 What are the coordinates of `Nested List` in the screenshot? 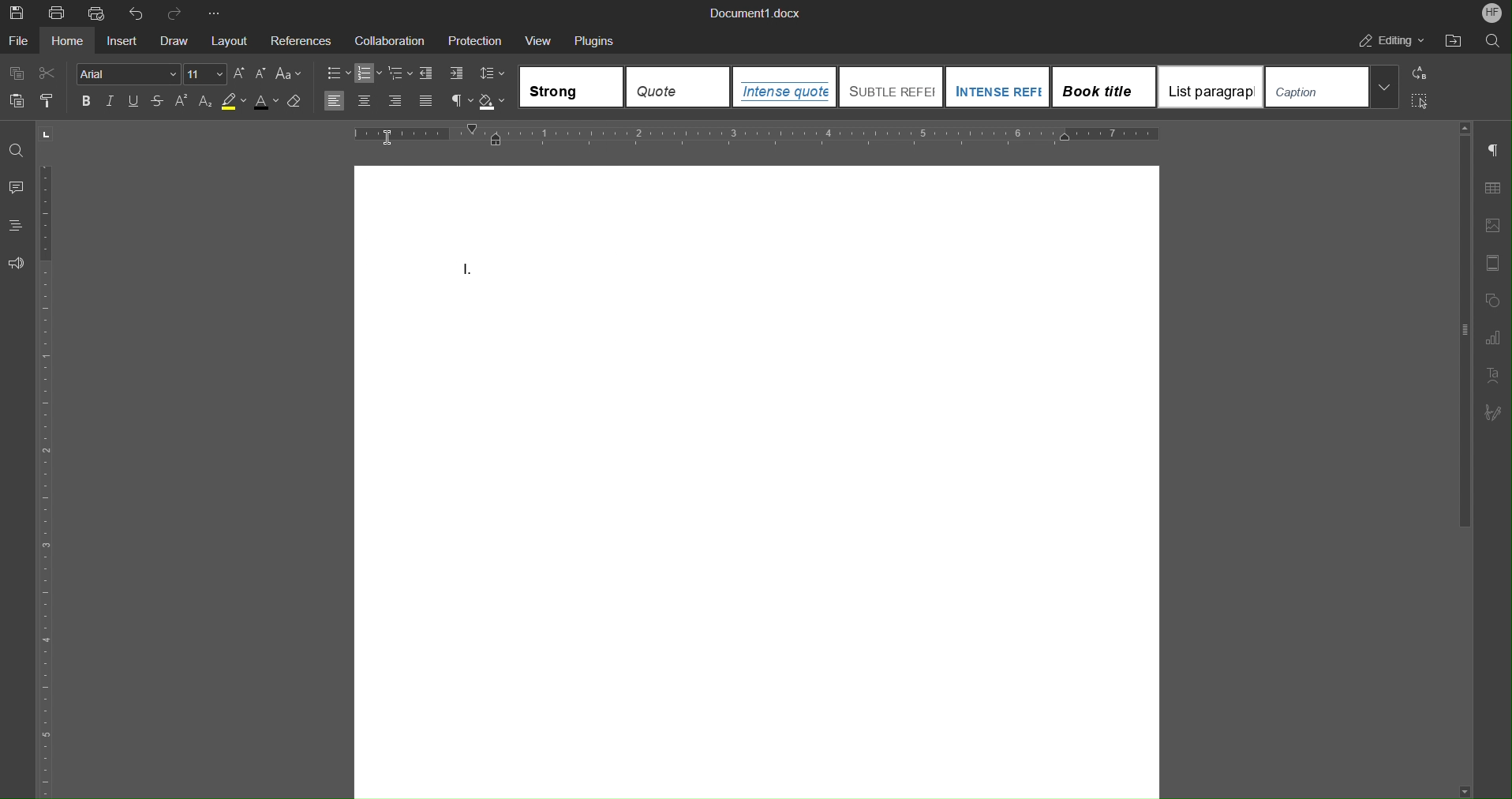 It's located at (399, 73).